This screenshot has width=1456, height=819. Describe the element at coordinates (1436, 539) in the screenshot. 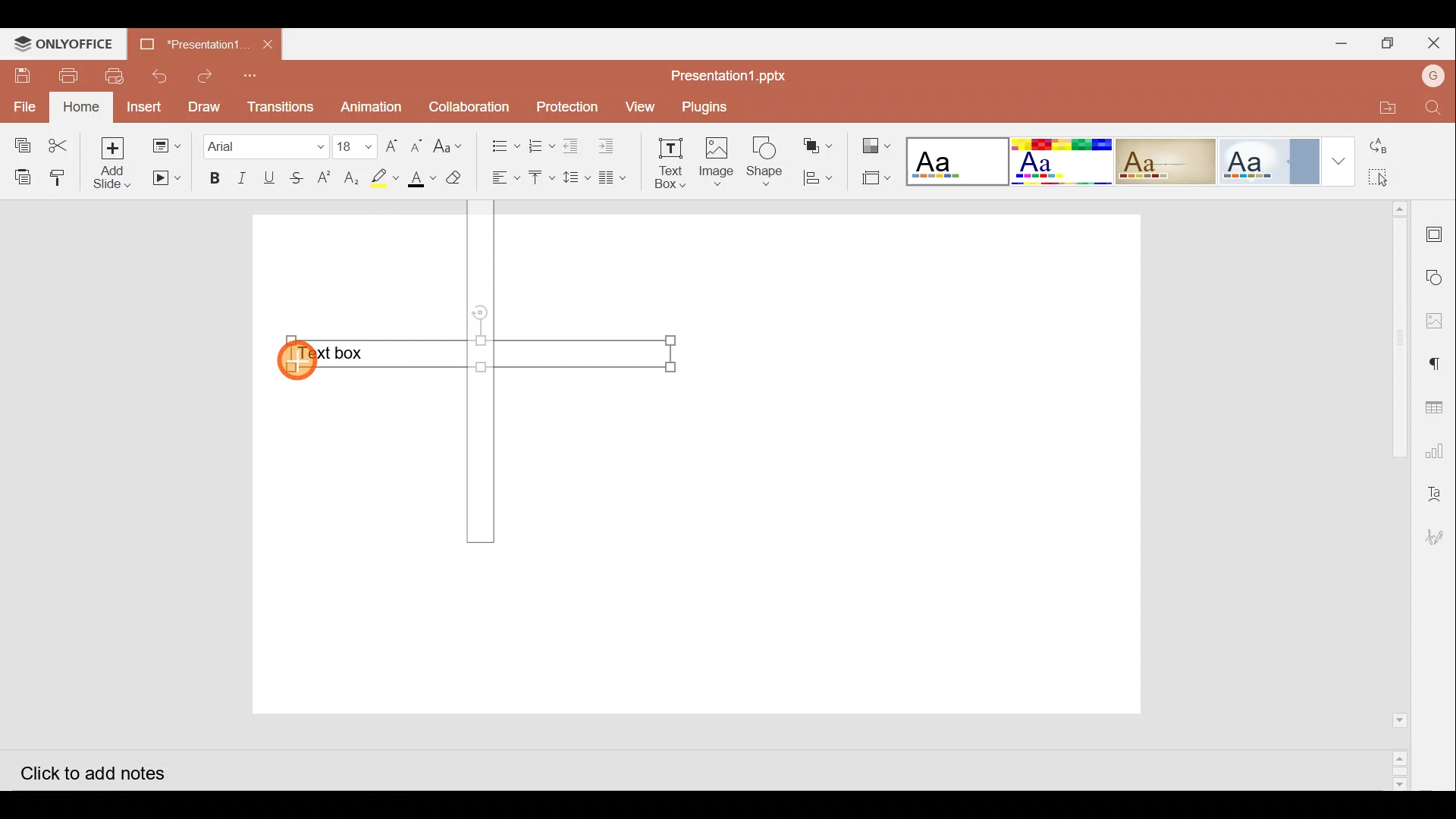

I see `Signature settings` at that location.